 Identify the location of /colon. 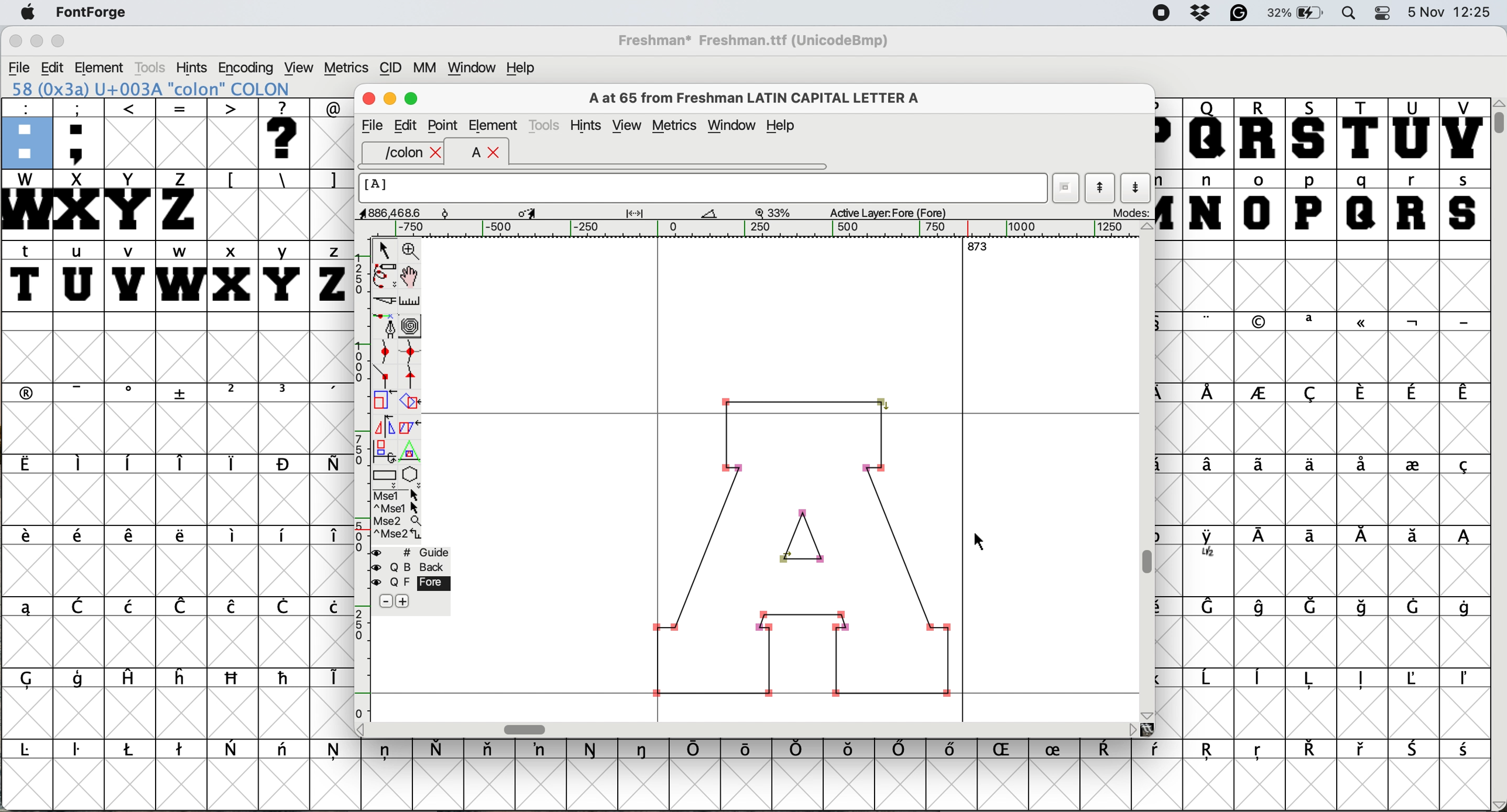
(395, 153).